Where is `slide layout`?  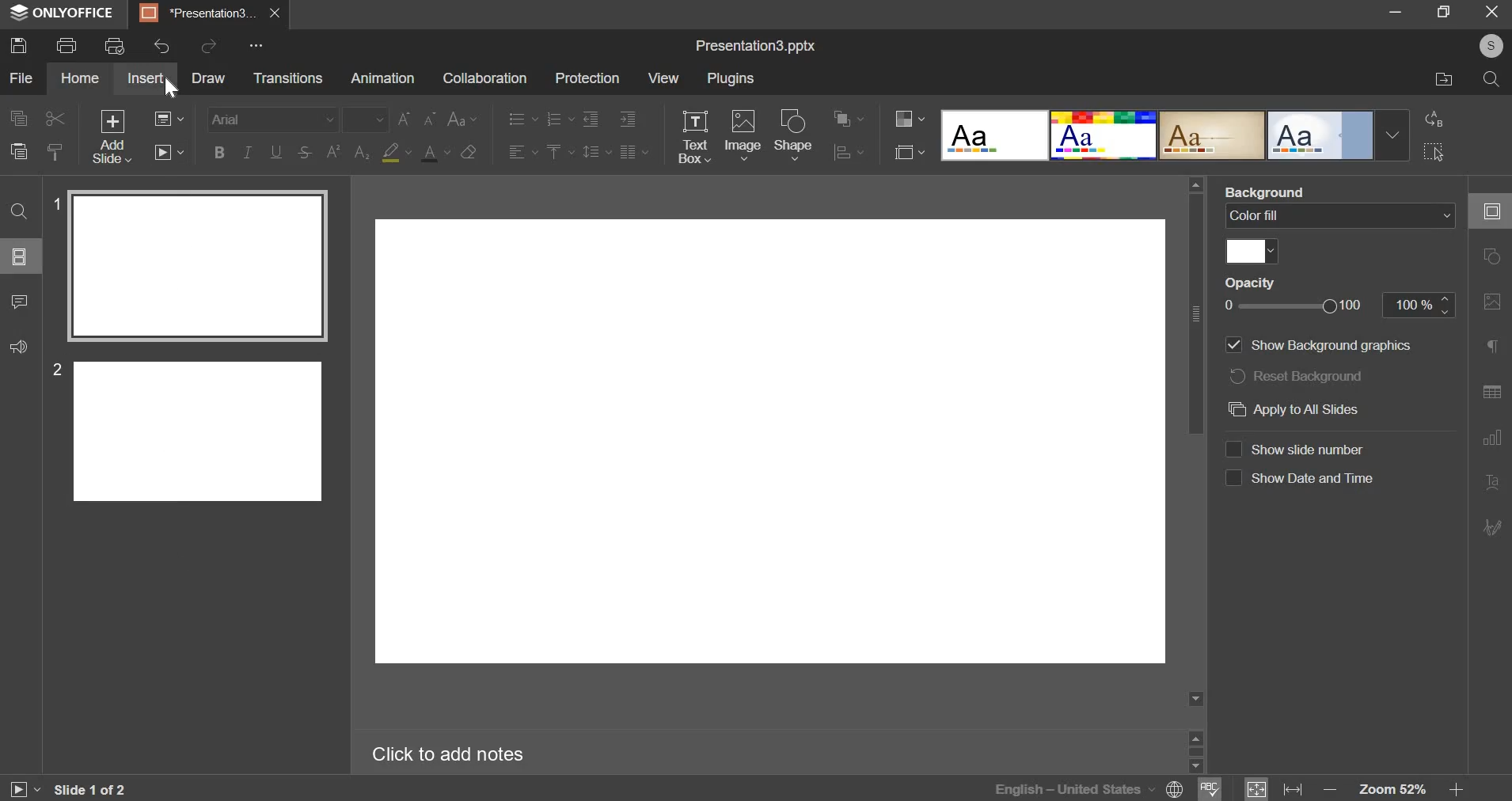 slide layout is located at coordinates (19, 256).